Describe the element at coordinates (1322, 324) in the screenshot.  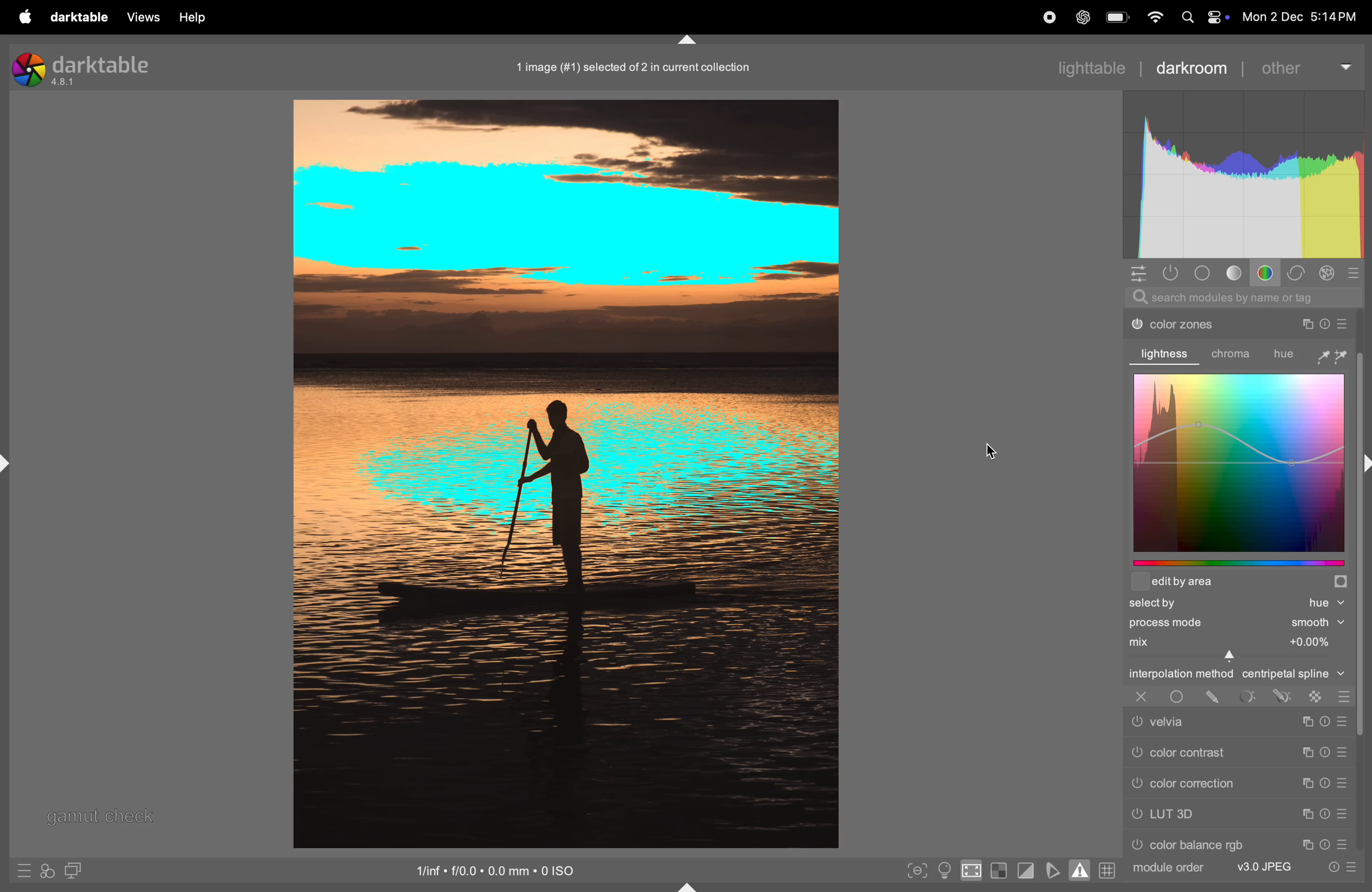
I see `Timer` at that location.